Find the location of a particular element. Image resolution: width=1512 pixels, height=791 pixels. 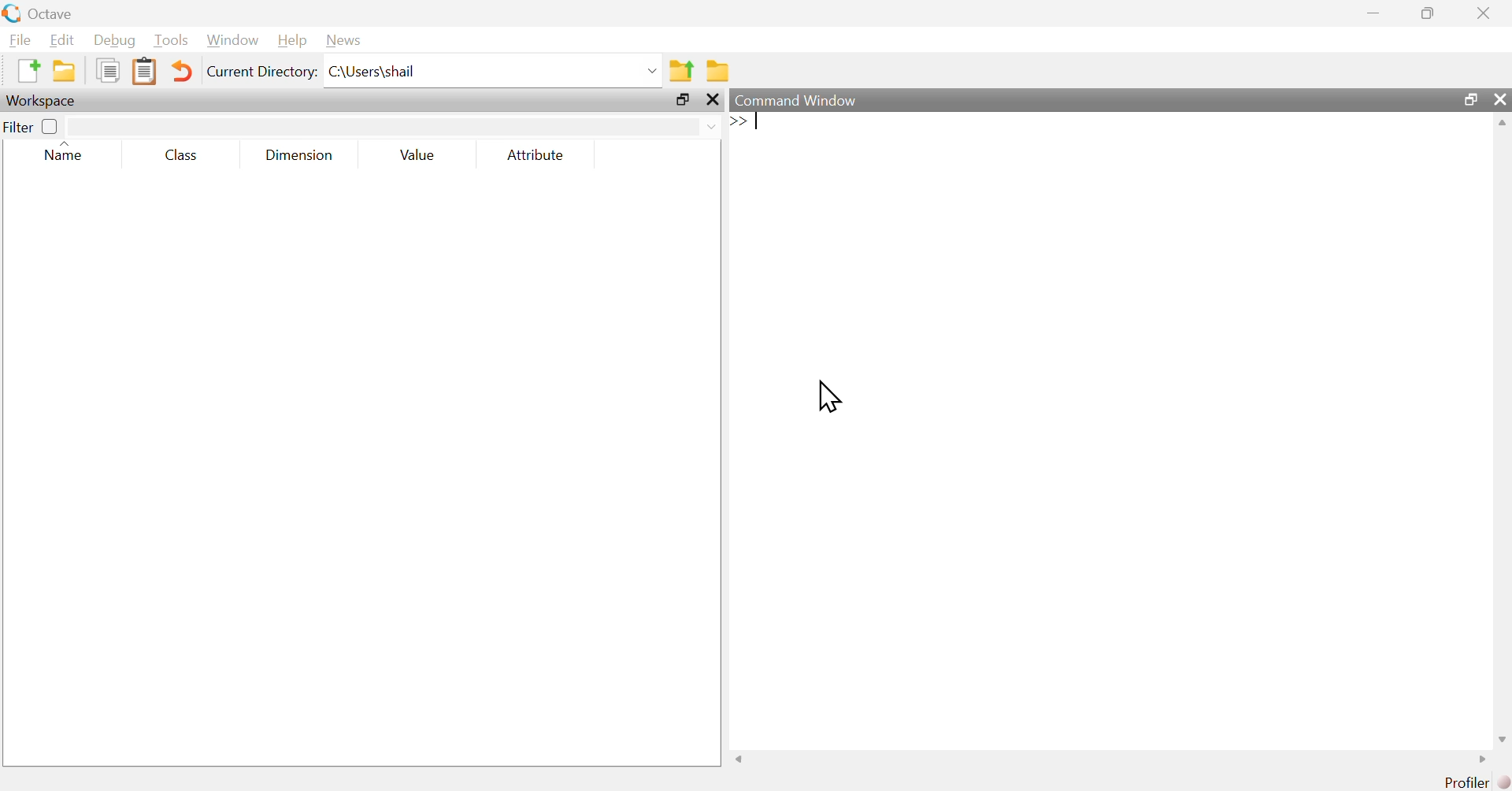

Window is located at coordinates (231, 41).